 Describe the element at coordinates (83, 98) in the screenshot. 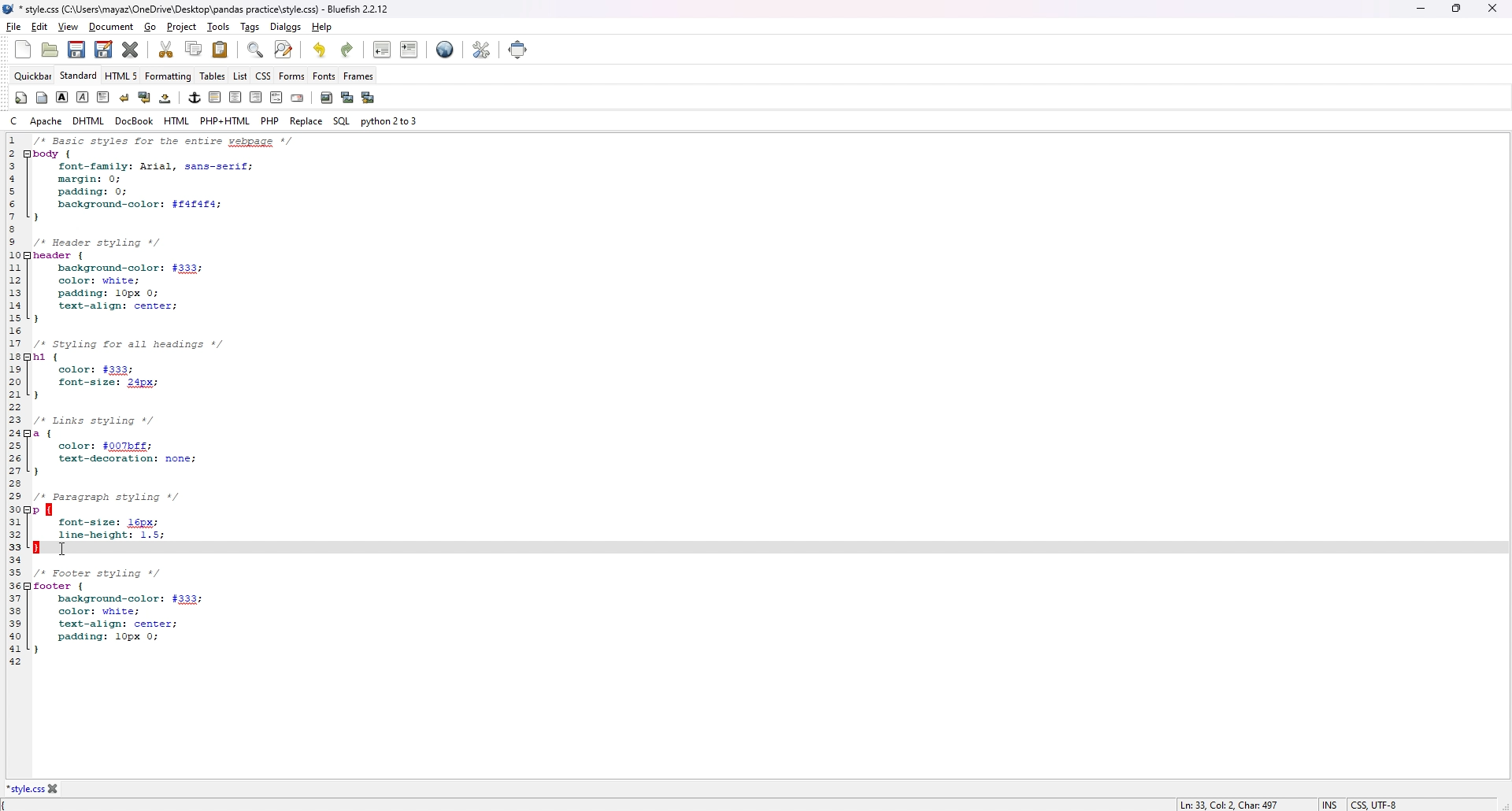

I see `italic` at that location.